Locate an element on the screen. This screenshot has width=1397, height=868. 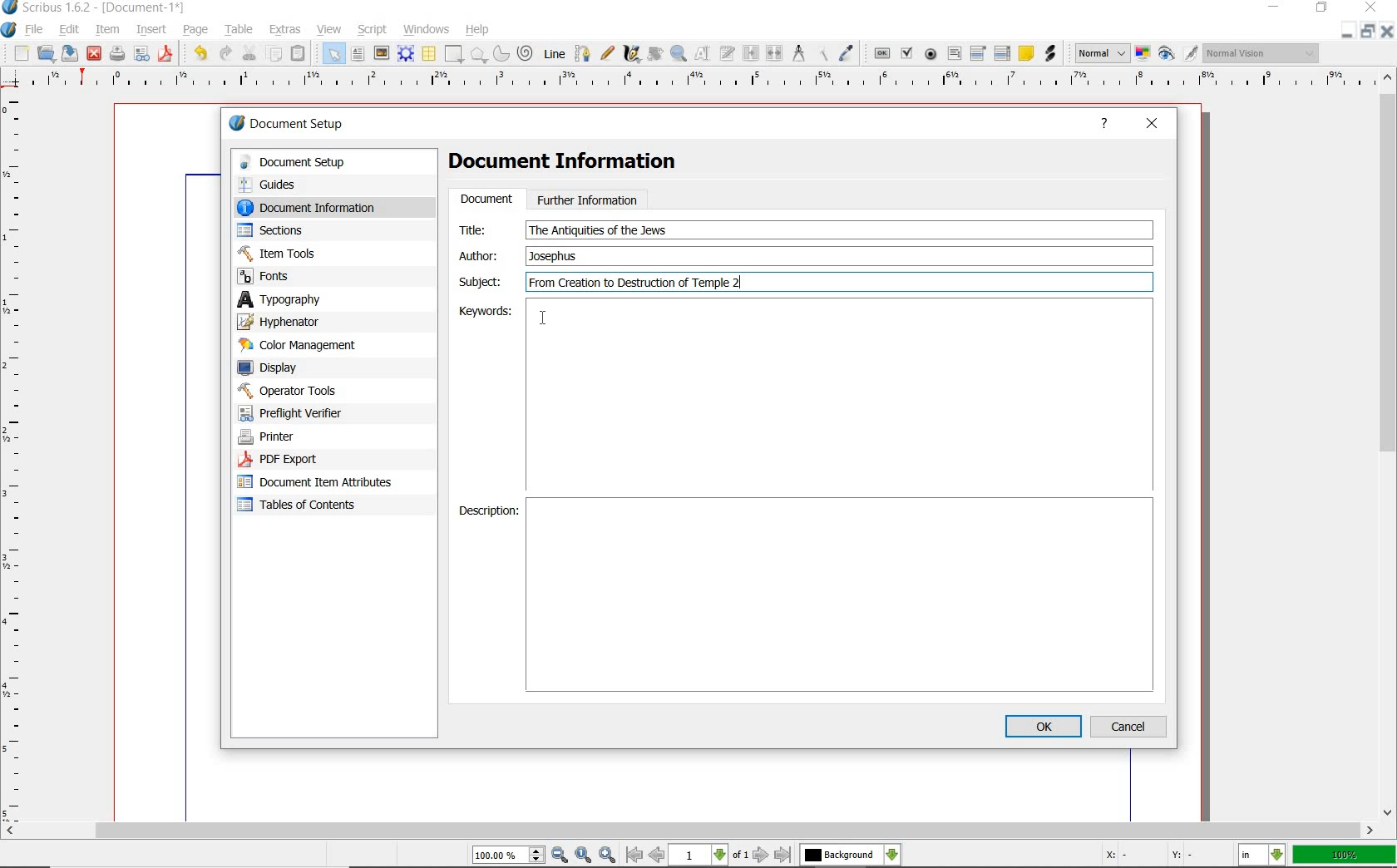
preflight verifier is located at coordinates (300, 413).